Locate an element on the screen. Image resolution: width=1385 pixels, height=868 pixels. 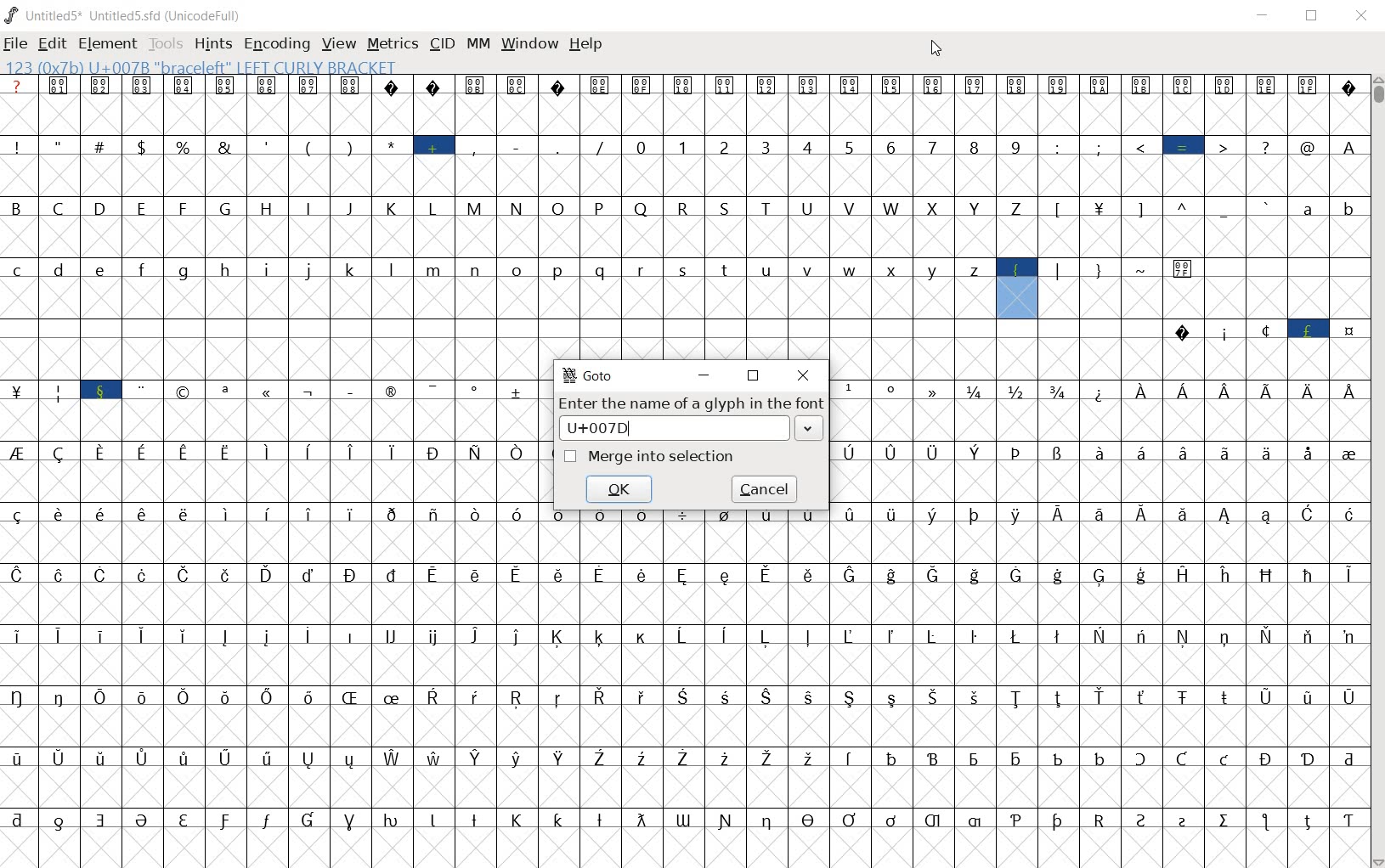
WINDOW is located at coordinates (530, 42).